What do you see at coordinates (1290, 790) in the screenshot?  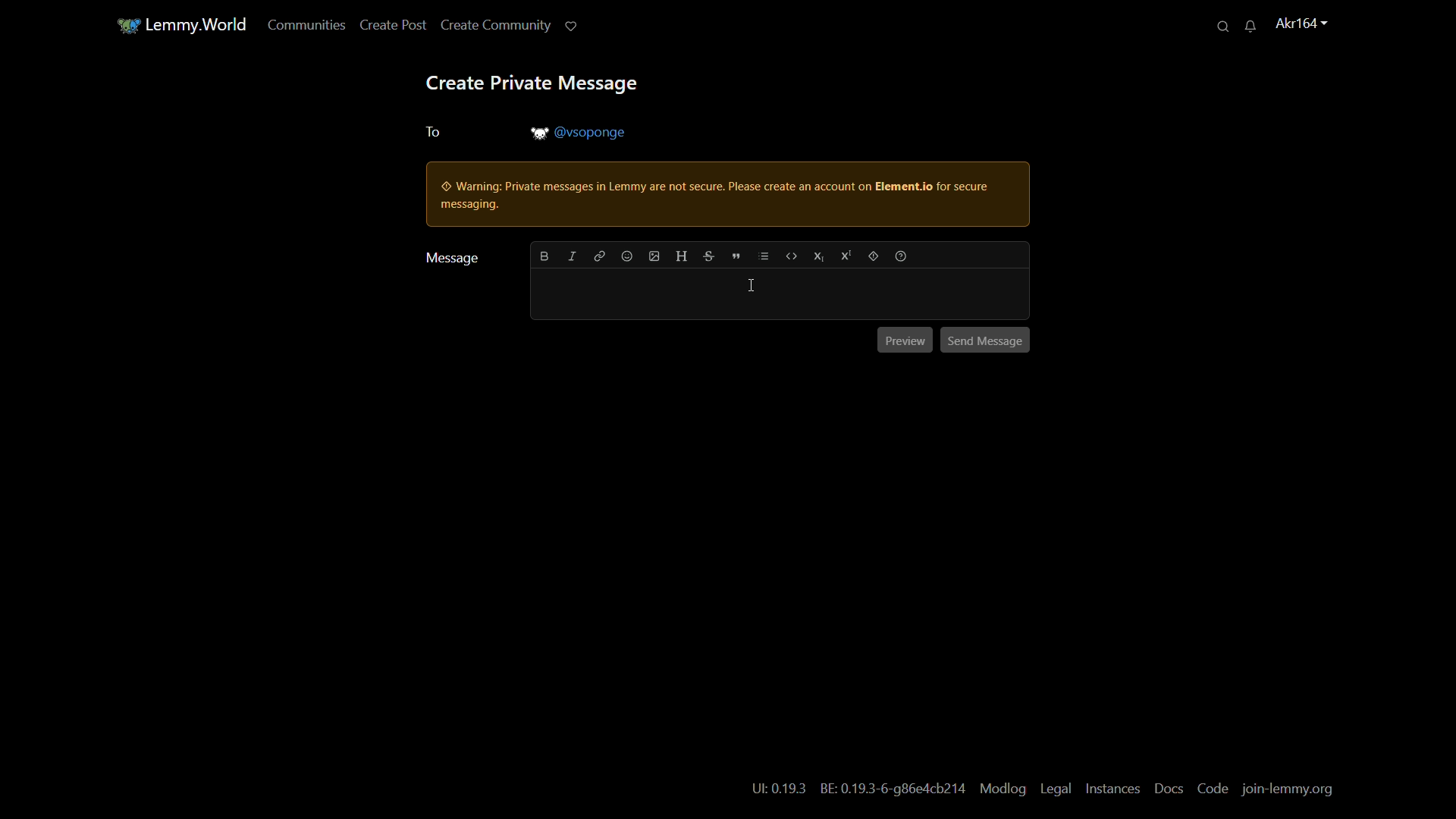 I see `join-lemmy.org` at bounding box center [1290, 790].